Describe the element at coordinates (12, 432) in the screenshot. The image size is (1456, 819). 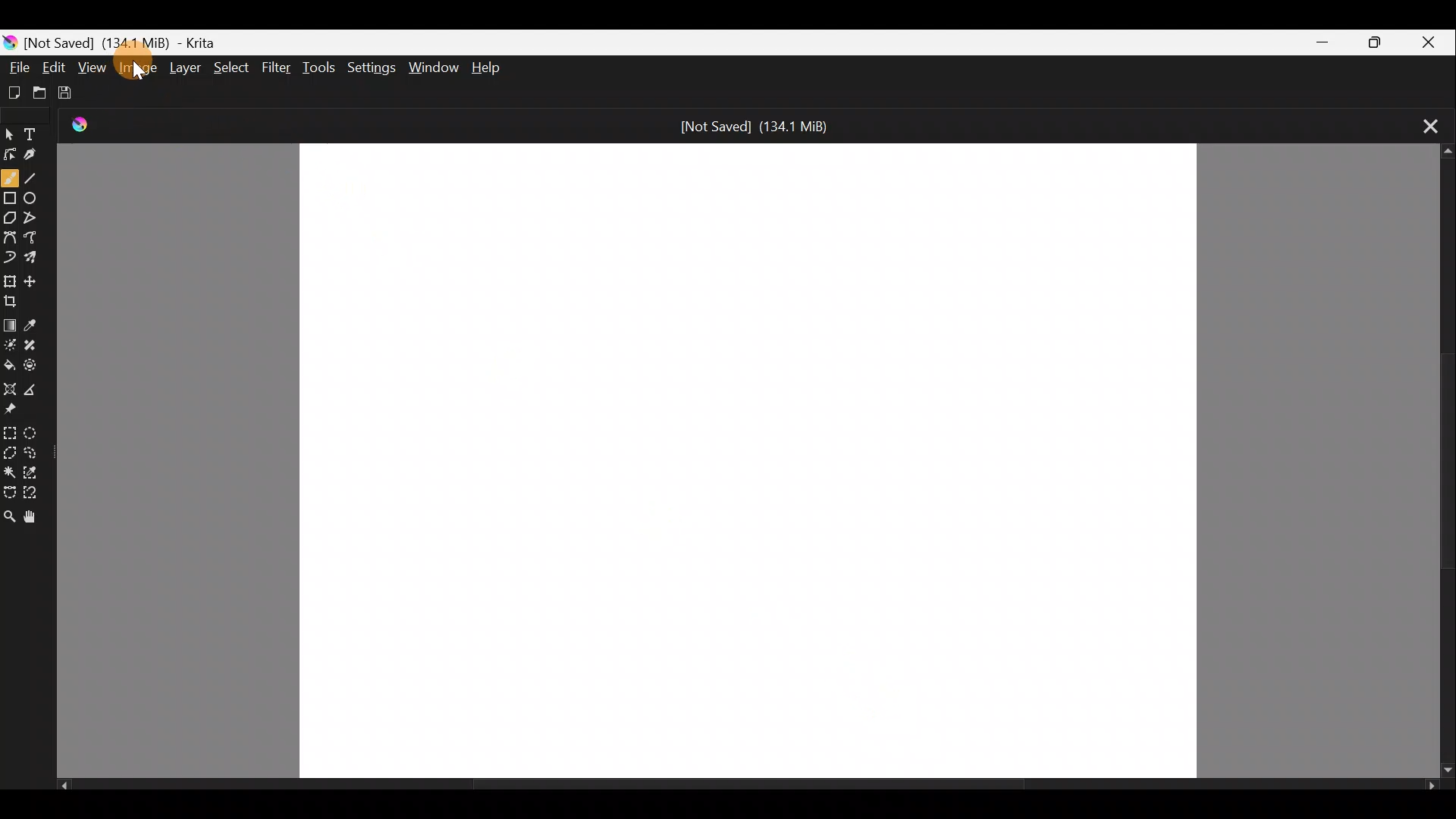
I see `Rectangular selection tool` at that location.